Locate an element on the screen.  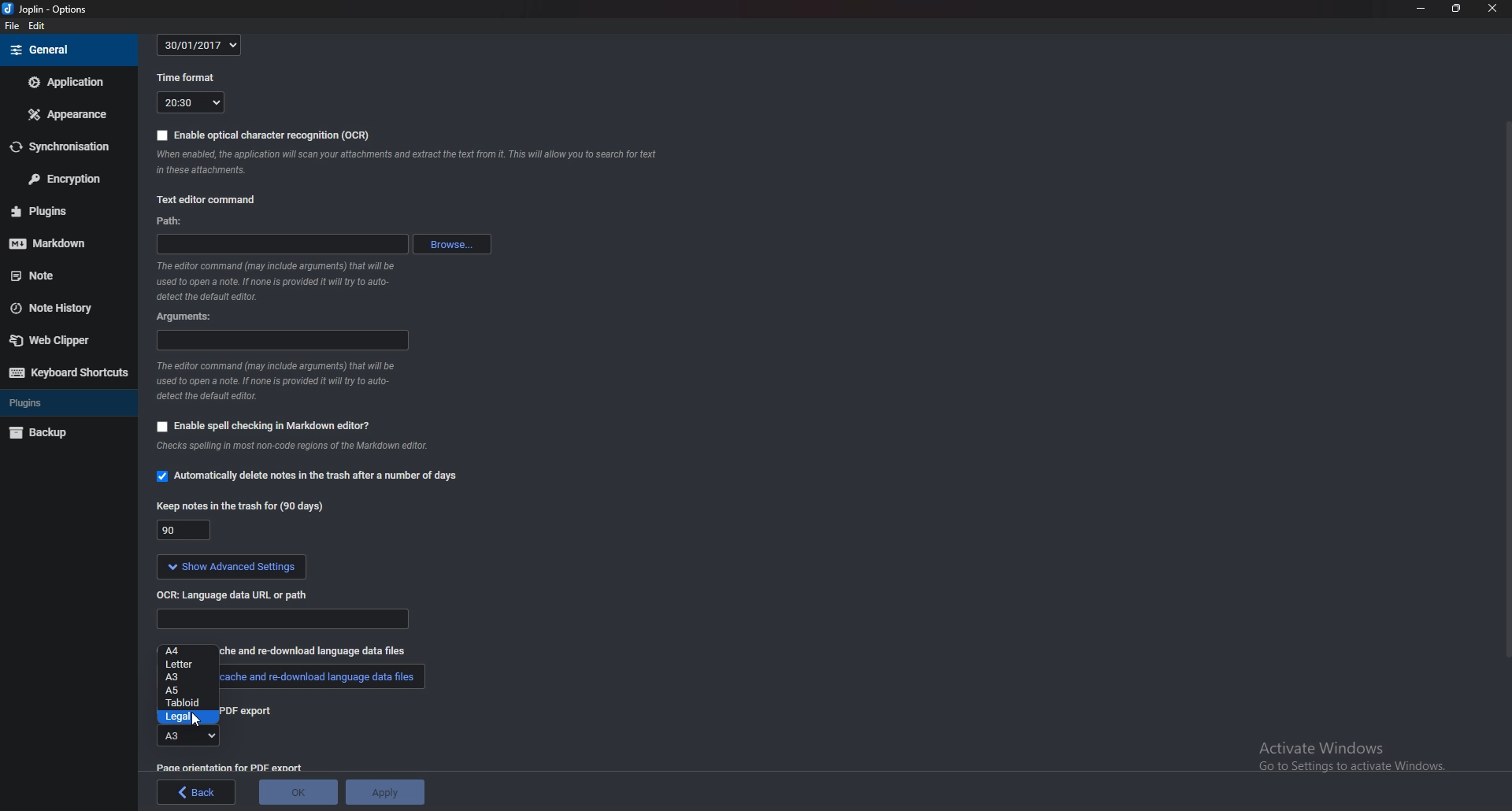
Time format is located at coordinates (189, 78).